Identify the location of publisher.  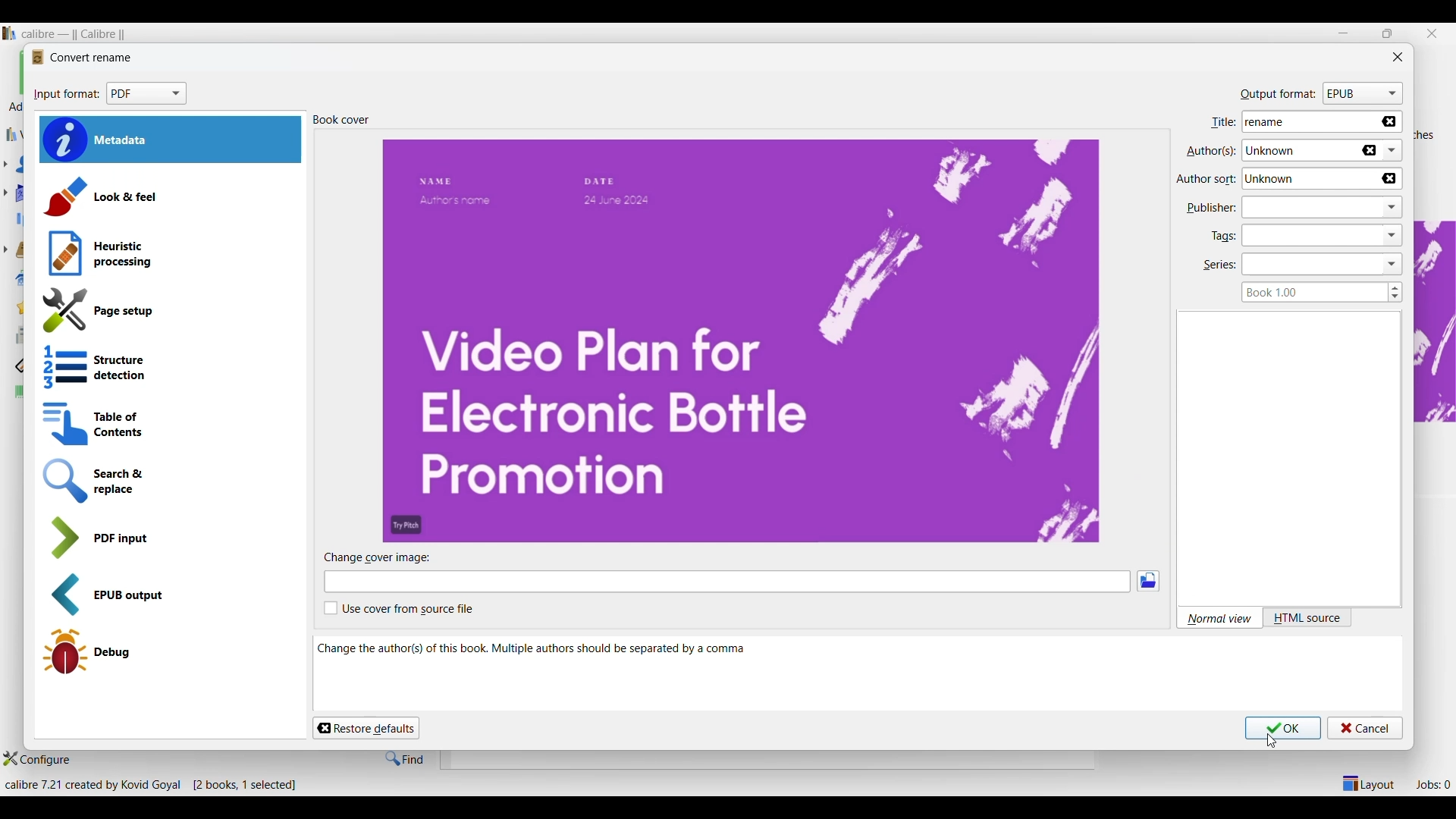
(1208, 209).